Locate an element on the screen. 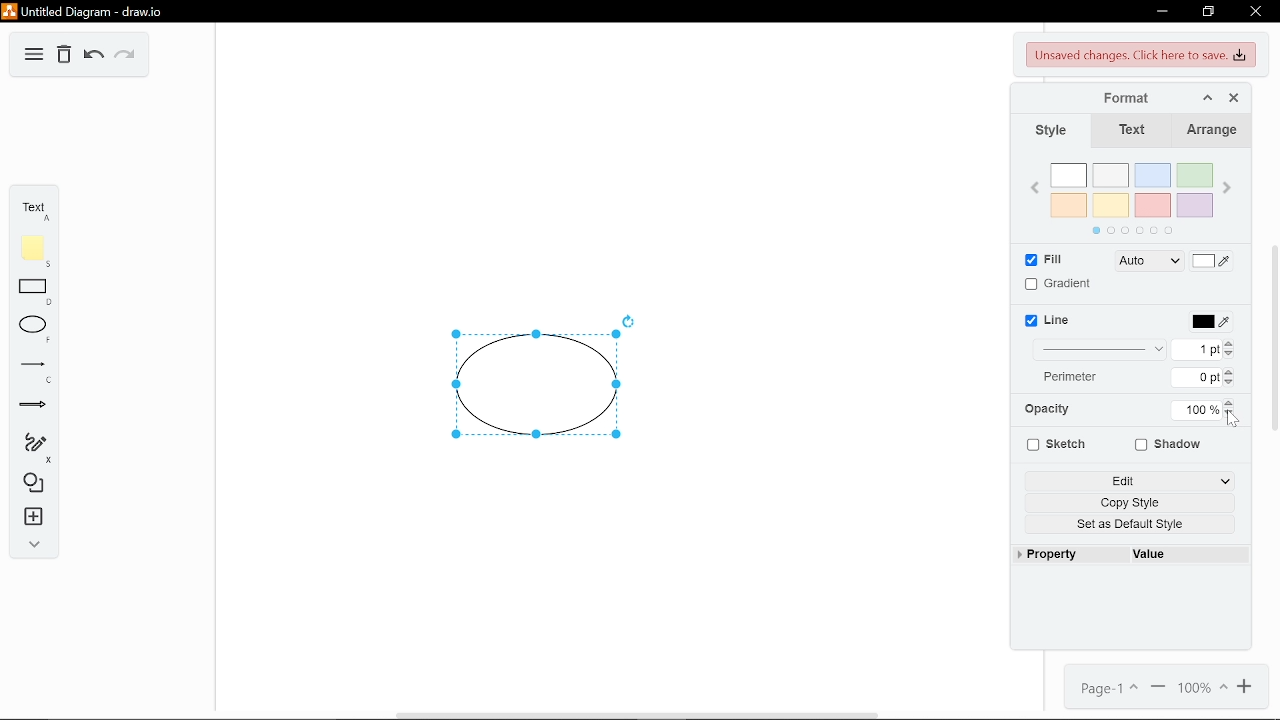  Menu is located at coordinates (32, 54).